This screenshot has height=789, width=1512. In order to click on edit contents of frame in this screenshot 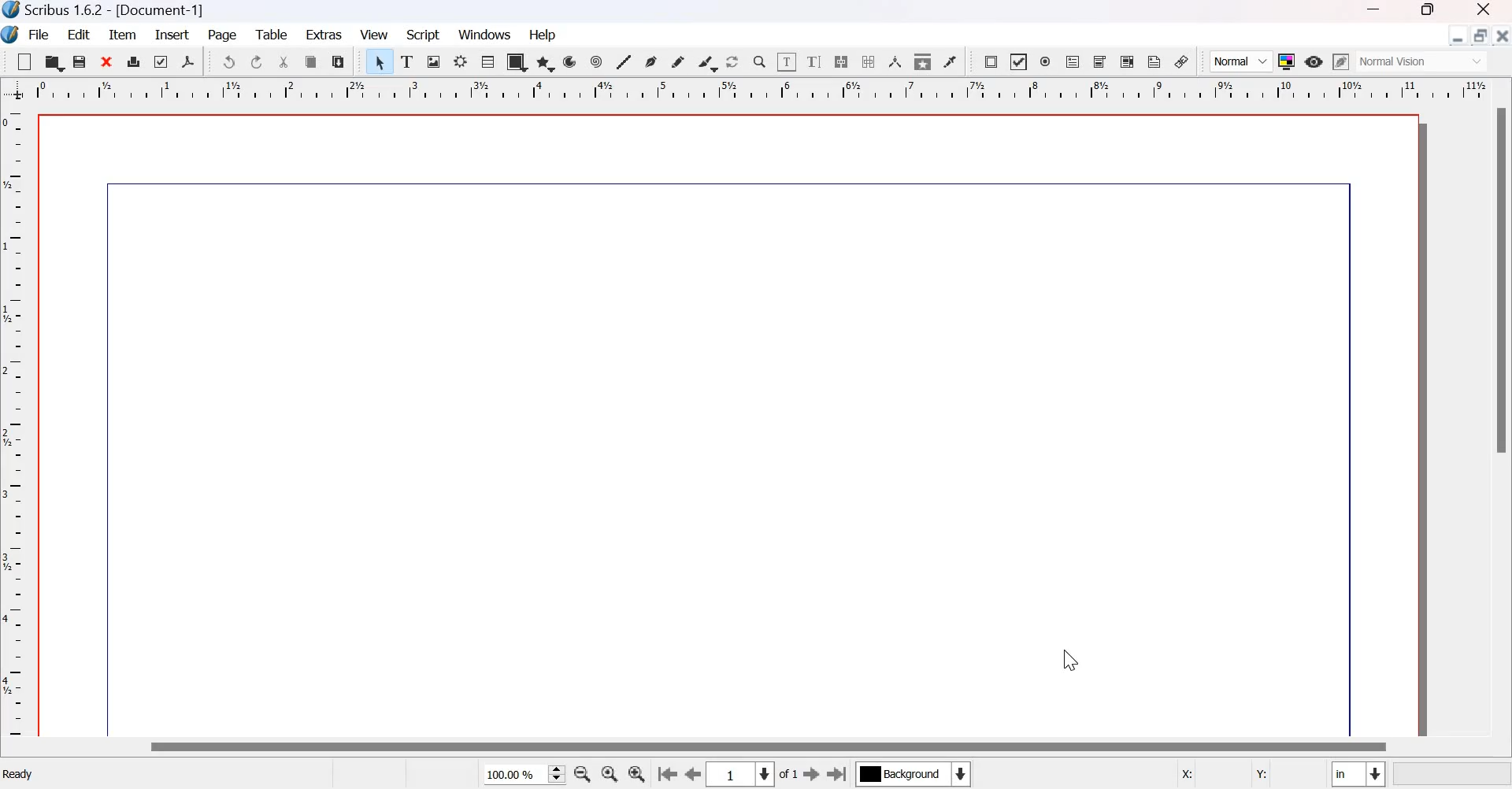, I will do `click(787, 62)`.